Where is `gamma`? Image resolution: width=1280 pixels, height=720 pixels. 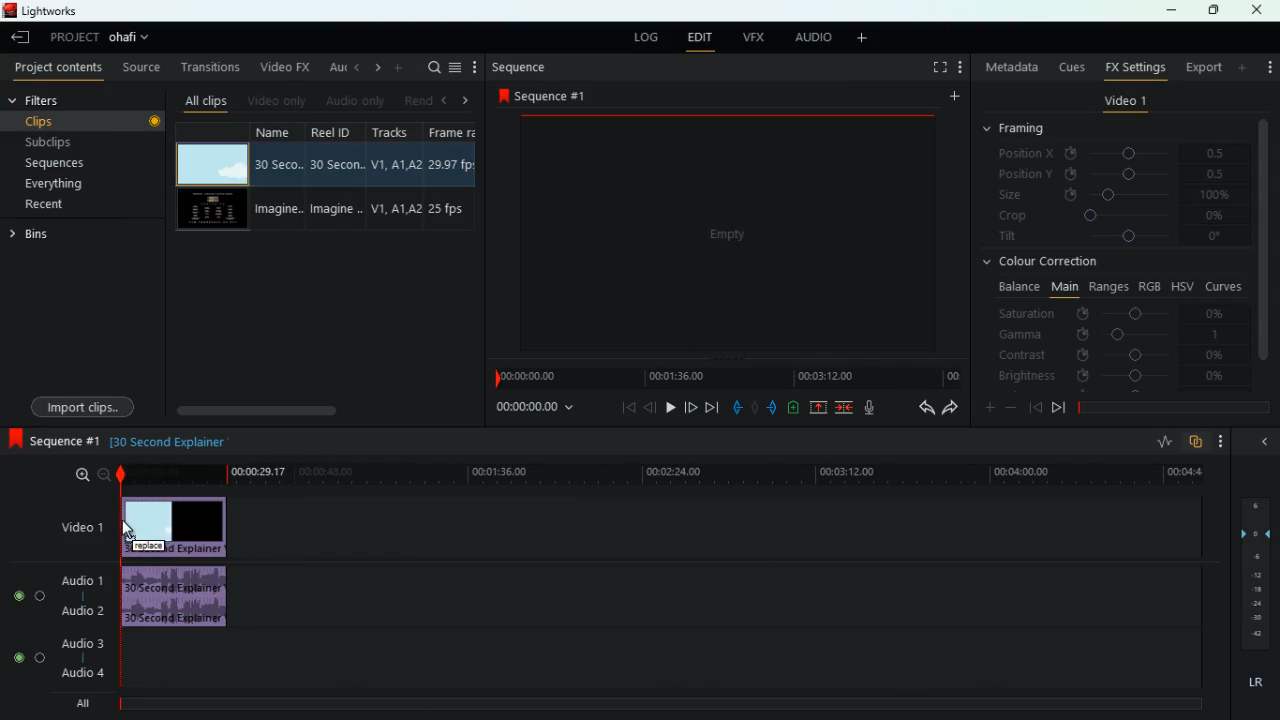
gamma is located at coordinates (1110, 334).